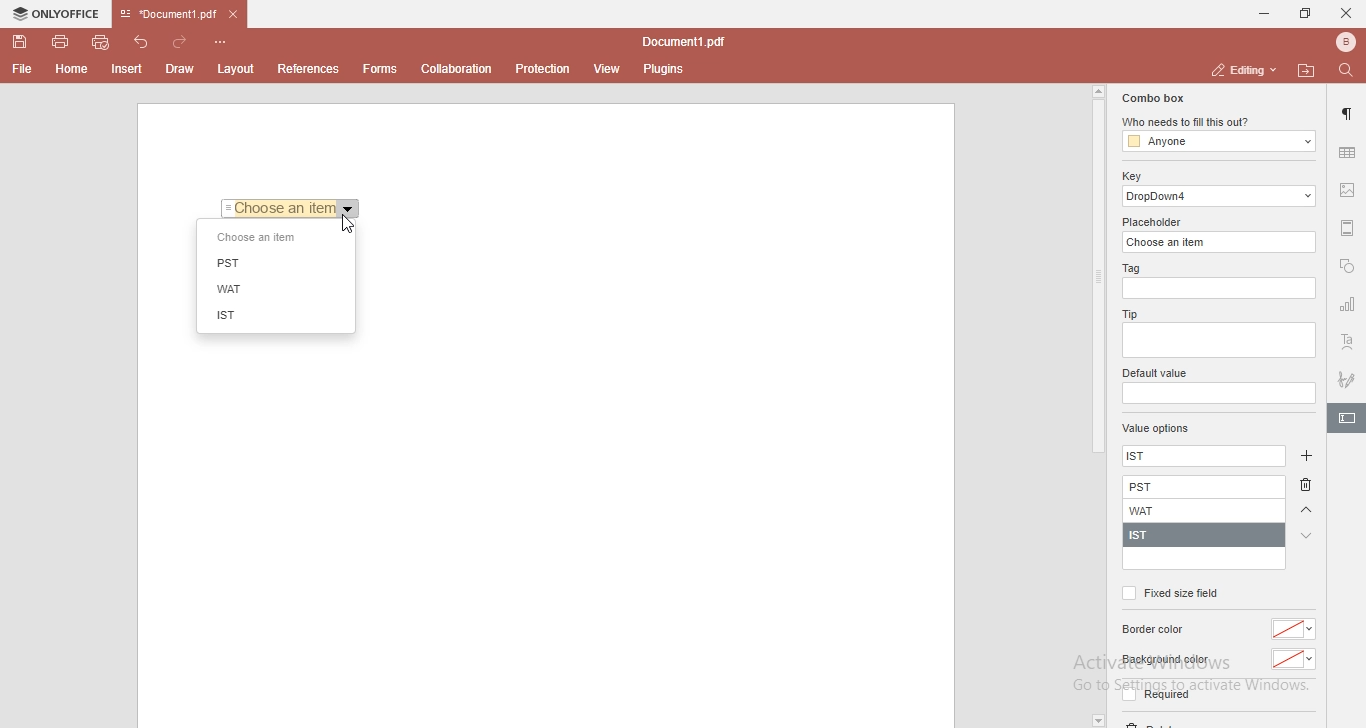 The height and width of the screenshot is (728, 1366). Describe the element at coordinates (1156, 430) in the screenshot. I see `value options` at that location.